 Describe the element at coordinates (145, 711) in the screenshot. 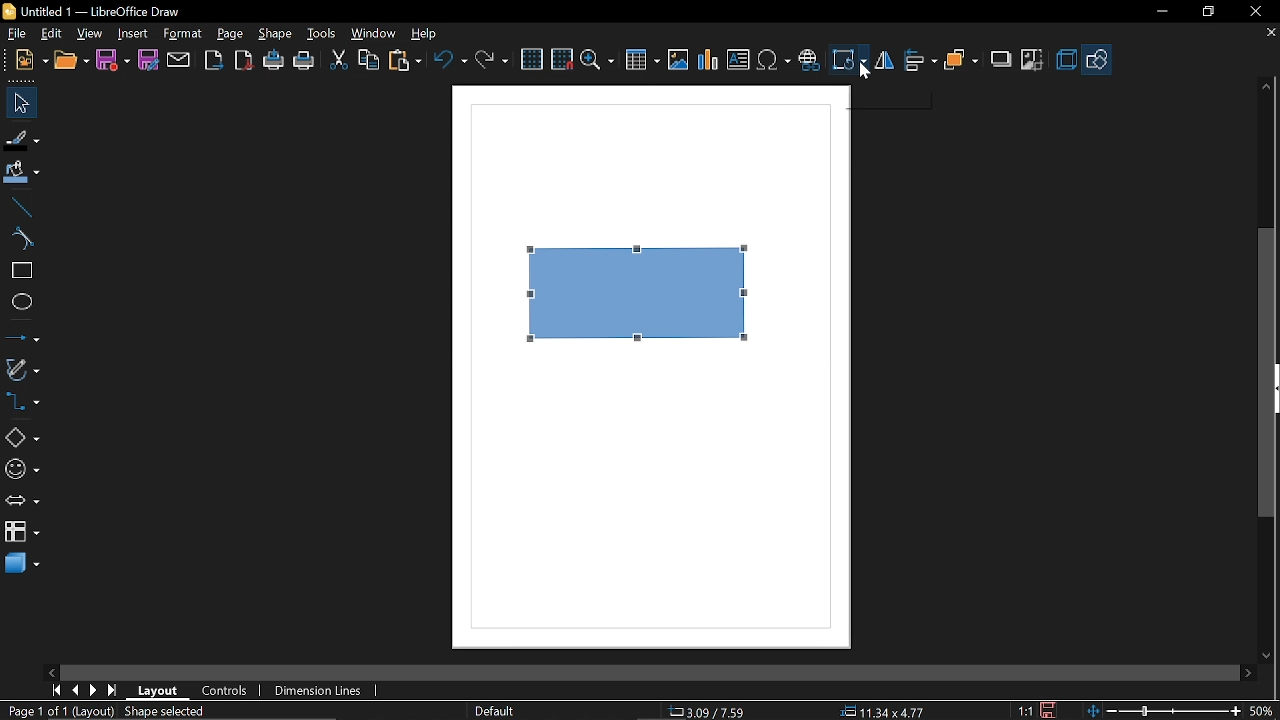

I see `(Layout) Shape selected` at that location.